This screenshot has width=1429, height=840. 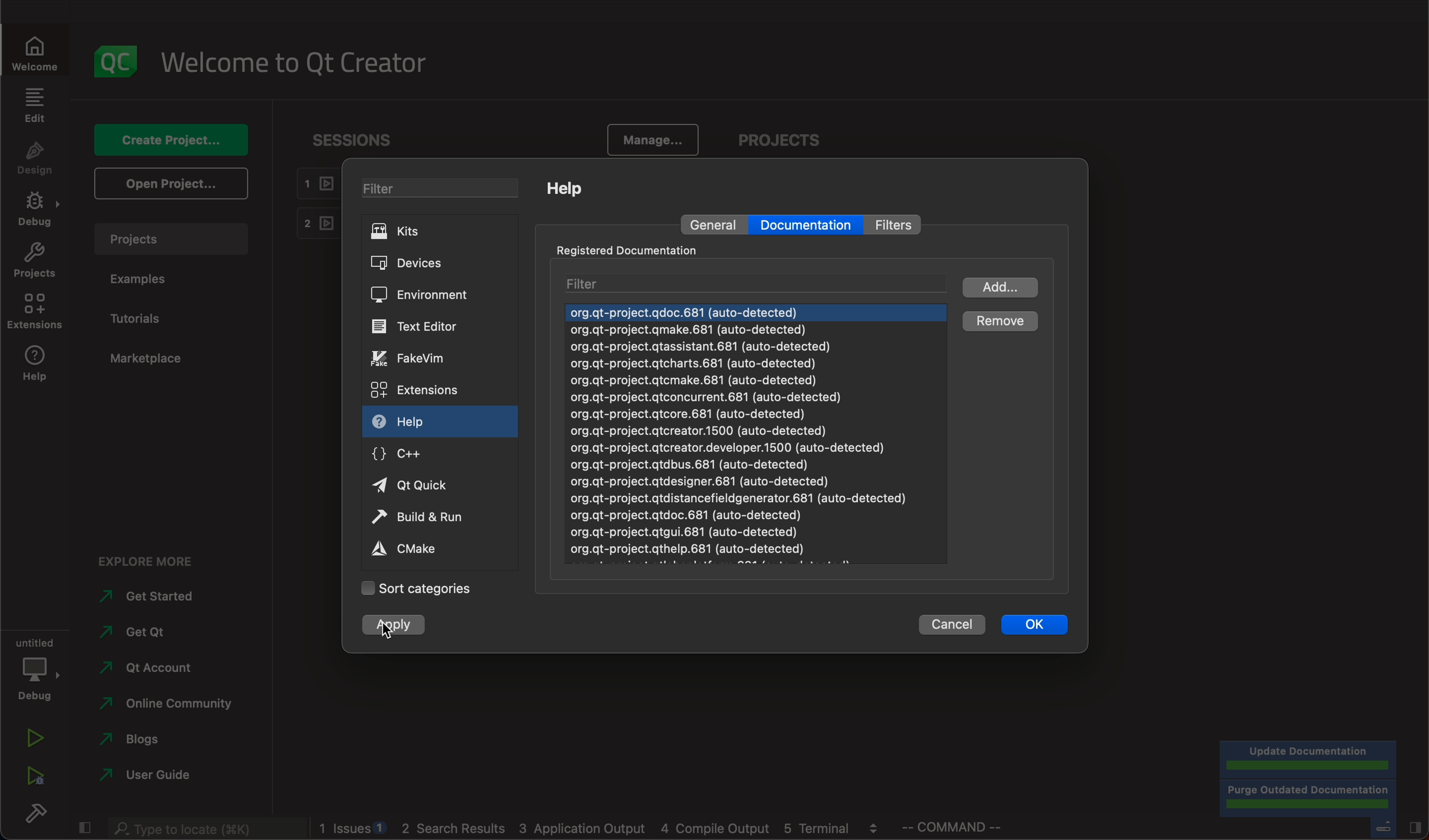 What do you see at coordinates (422, 357) in the screenshot?
I see `vim` at bounding box center [422, 357].